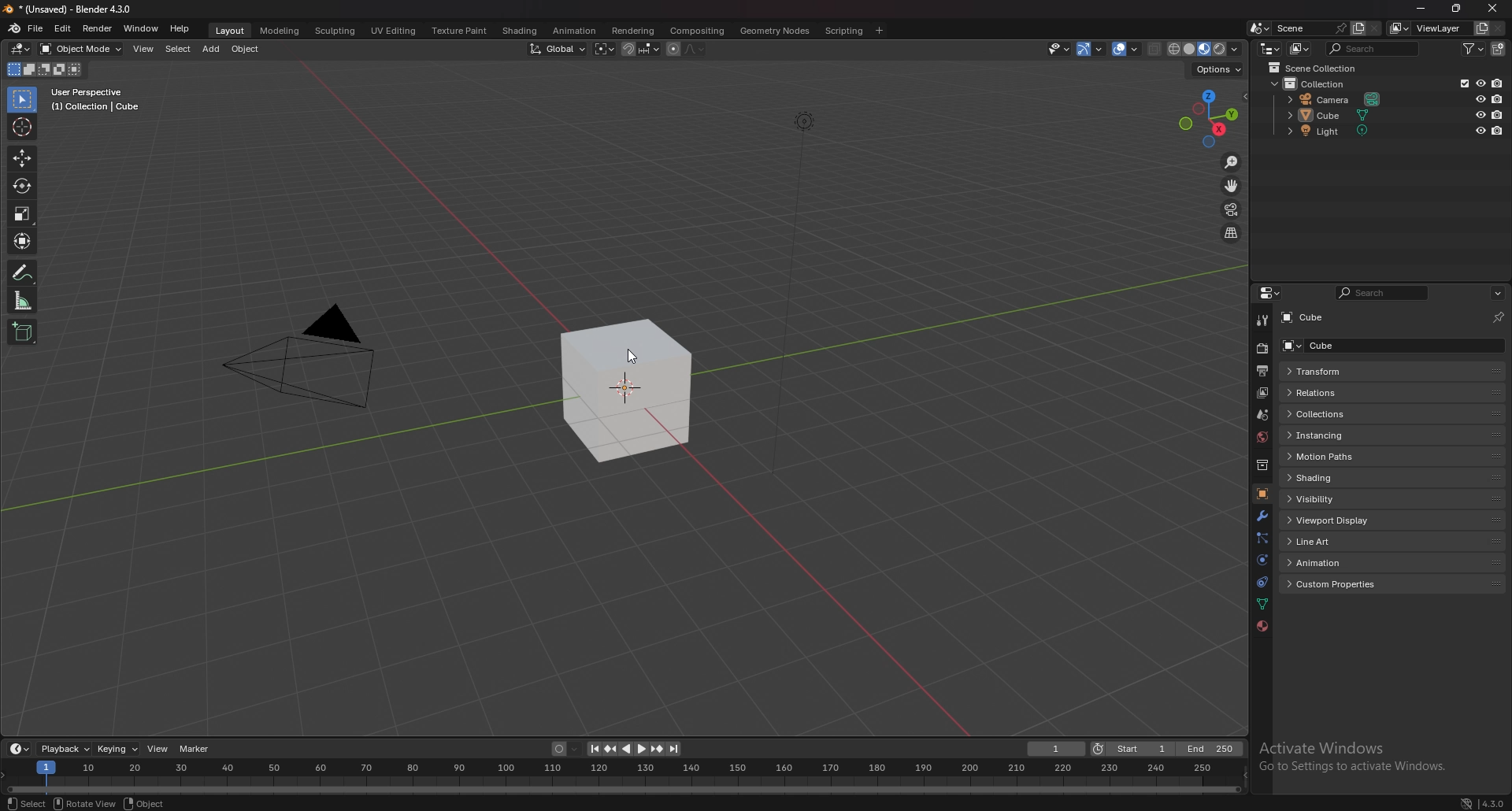  Describe the element at coordinates (1332, 115) in the screenshot. I see `cube` at that location.